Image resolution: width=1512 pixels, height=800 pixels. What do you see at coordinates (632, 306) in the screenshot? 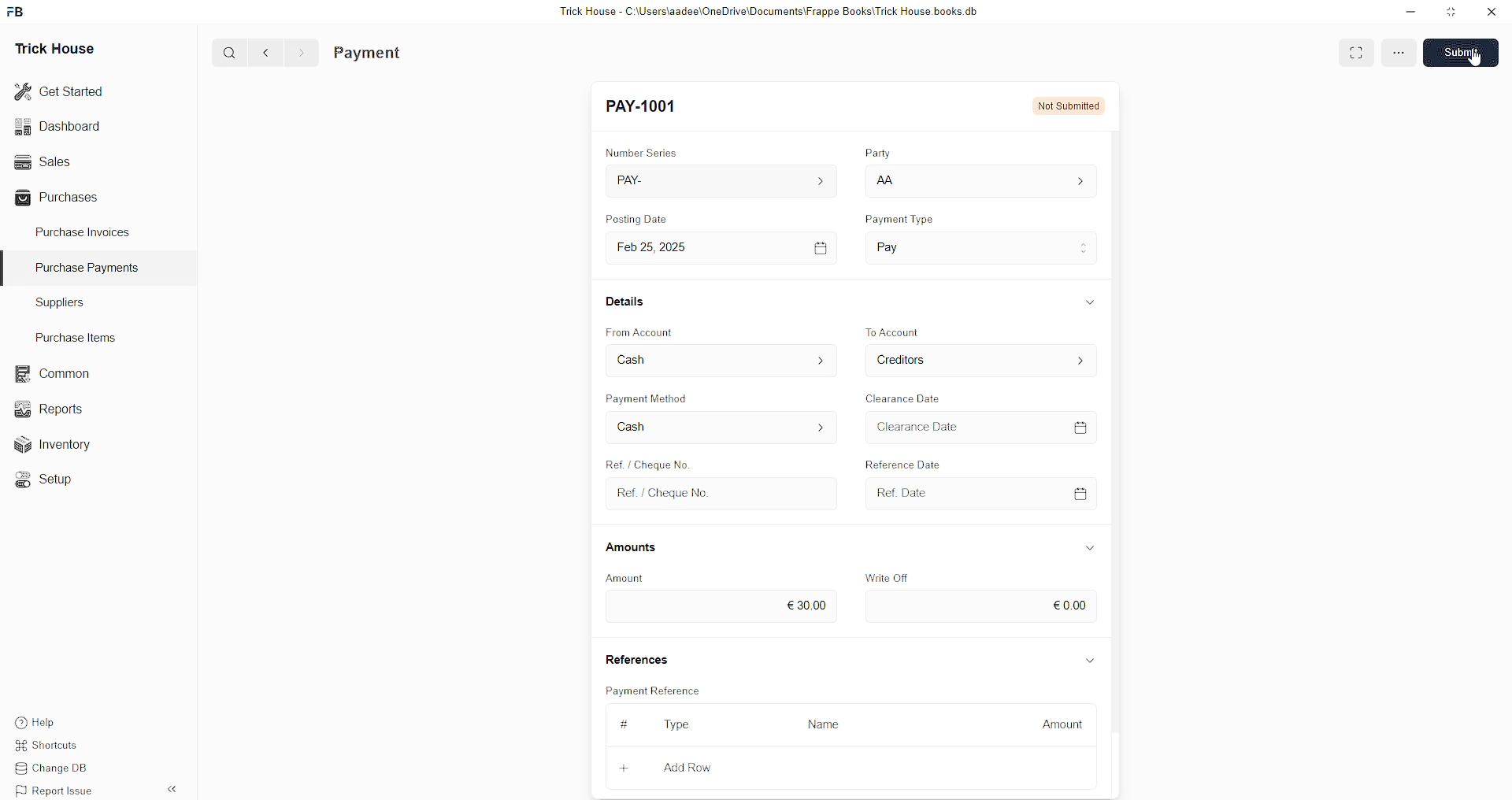
I see `Details` at bounding box center [632, 306].